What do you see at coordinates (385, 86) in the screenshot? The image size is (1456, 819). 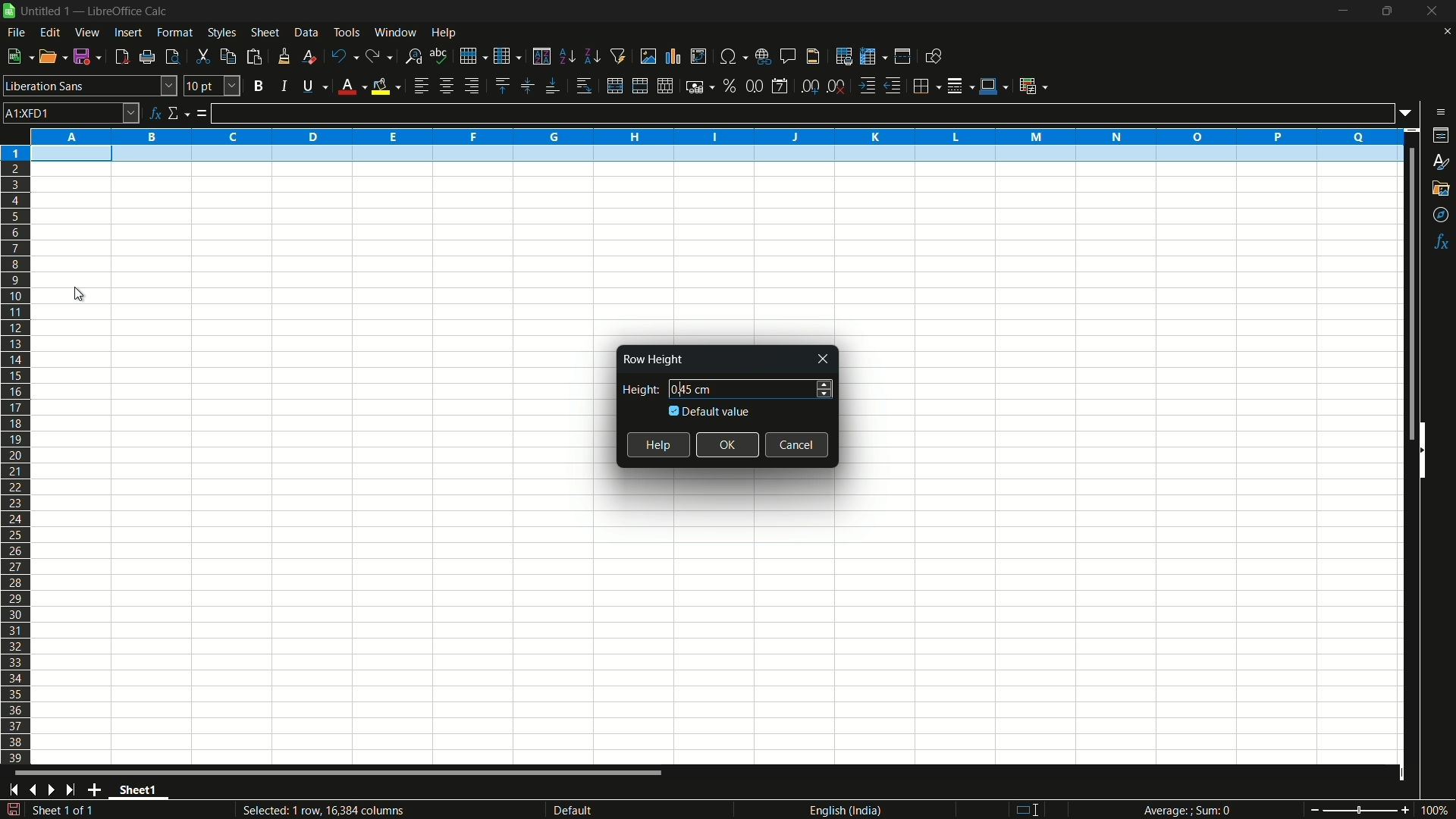 I see `background fill` at bounding box center [385, 86].